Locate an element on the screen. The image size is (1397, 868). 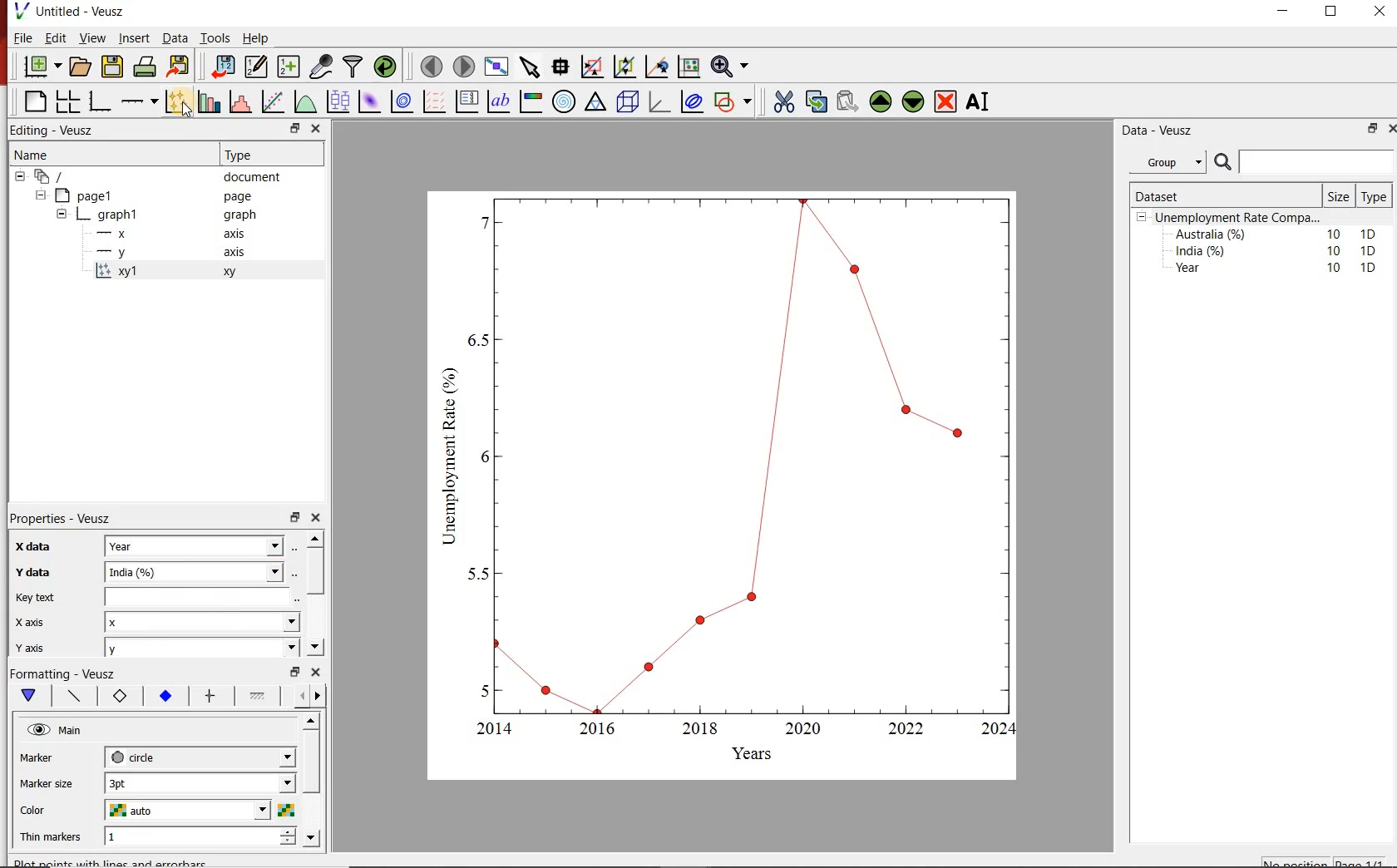
plot key is located at coordinates (466, 102).